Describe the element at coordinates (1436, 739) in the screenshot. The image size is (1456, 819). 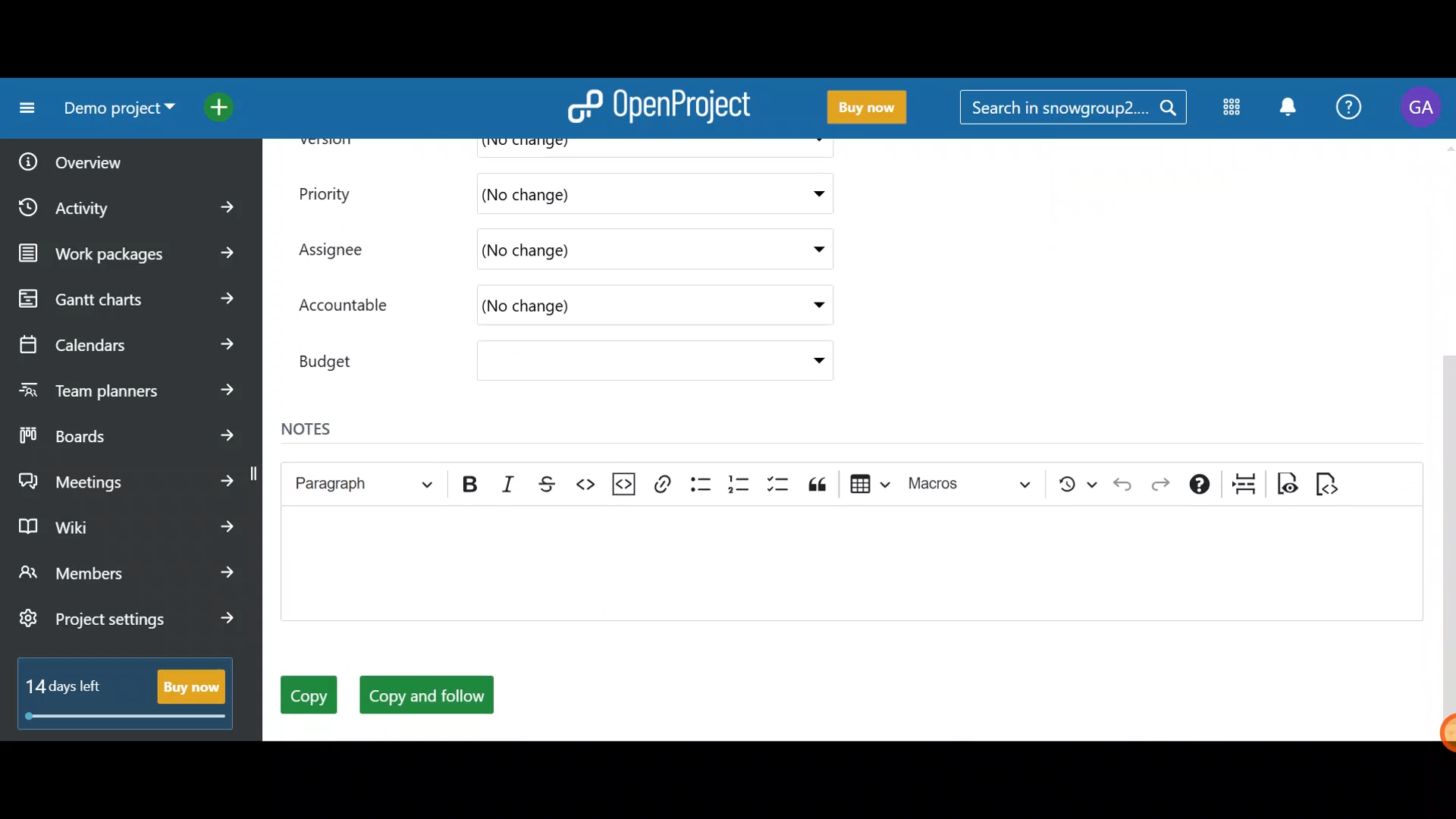
I see `Cursor` at that location.